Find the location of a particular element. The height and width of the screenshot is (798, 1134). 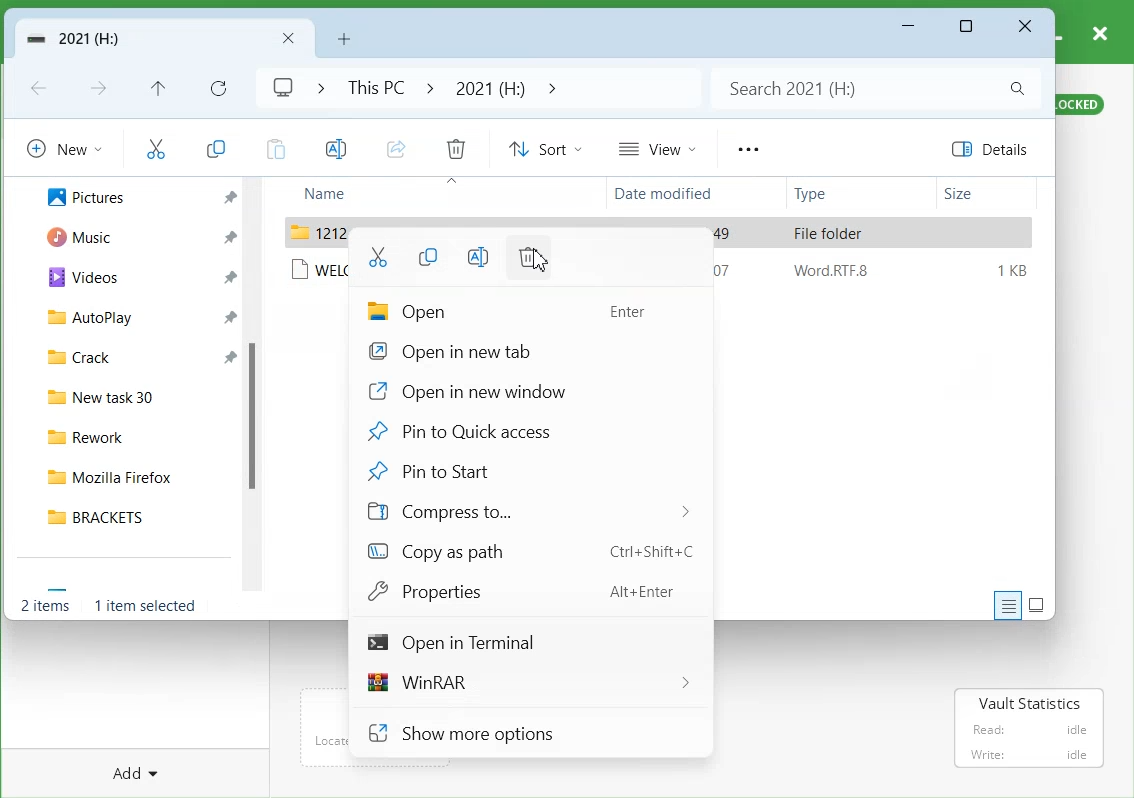

Go Forward is located at coordinates (101, 90).